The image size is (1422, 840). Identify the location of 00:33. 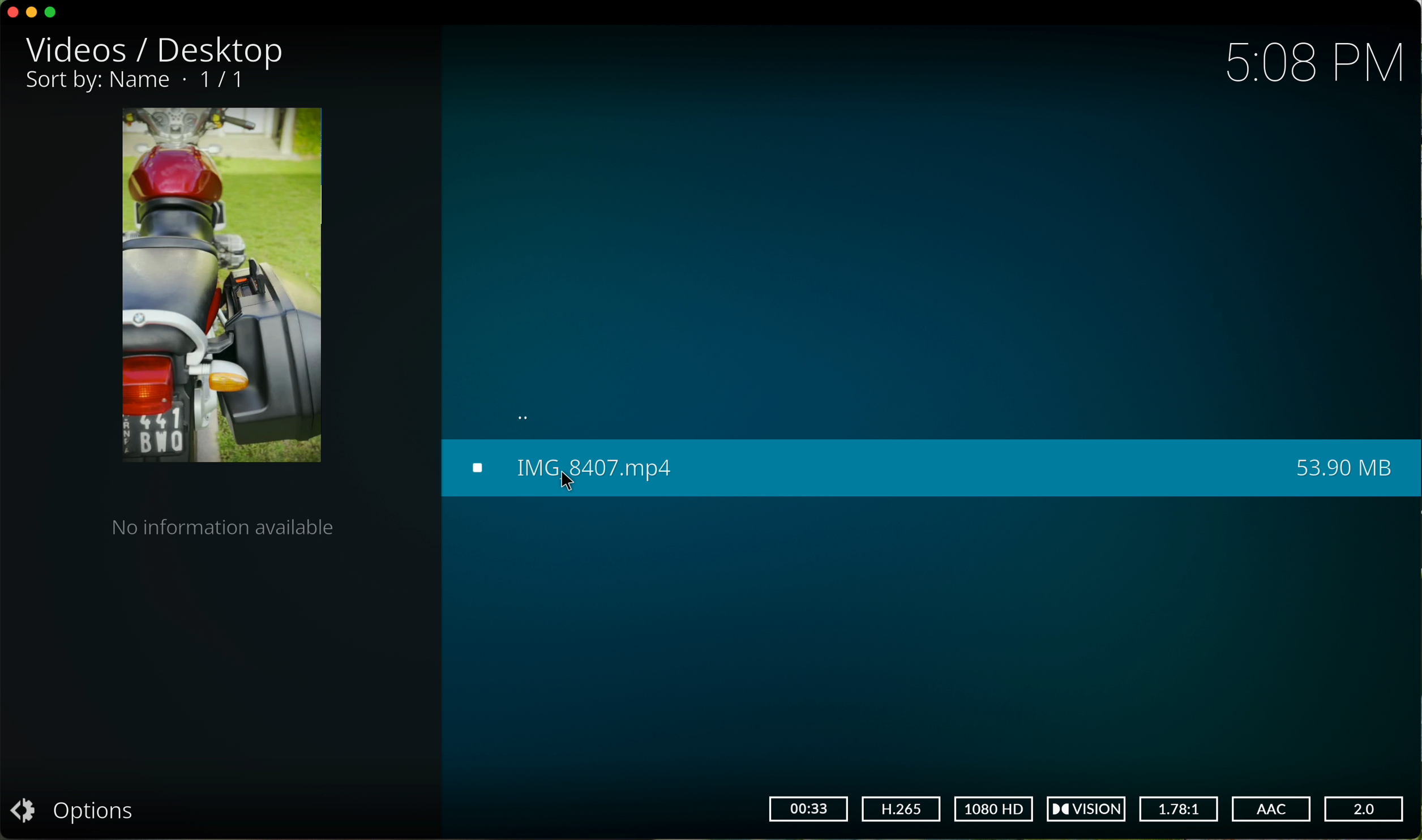
(808, 809).